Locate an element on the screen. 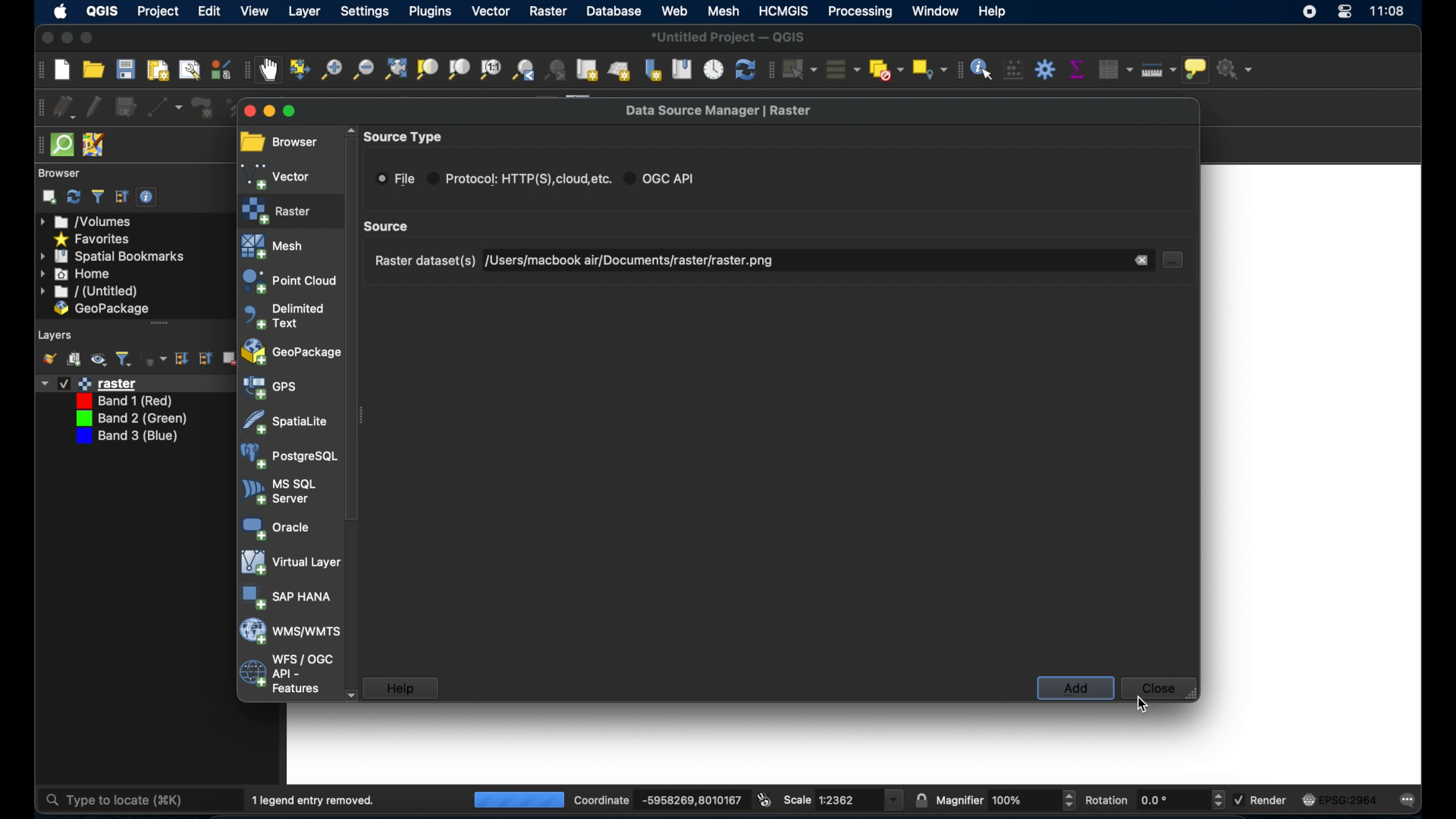 The width and height of the screenshot is (1456, 819). control center is located at coordinates (1345, 15).